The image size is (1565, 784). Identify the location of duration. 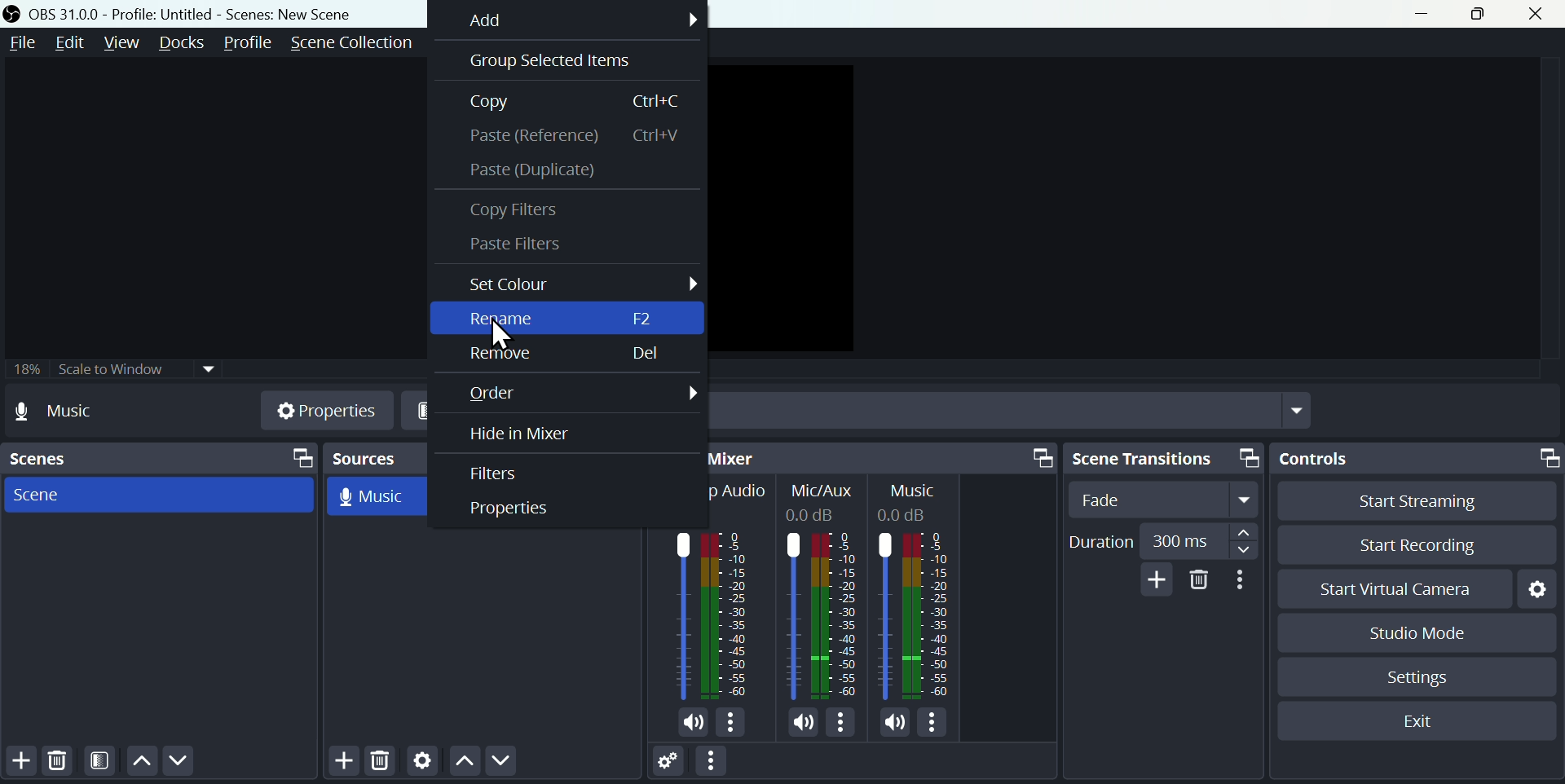
(1162, 542).